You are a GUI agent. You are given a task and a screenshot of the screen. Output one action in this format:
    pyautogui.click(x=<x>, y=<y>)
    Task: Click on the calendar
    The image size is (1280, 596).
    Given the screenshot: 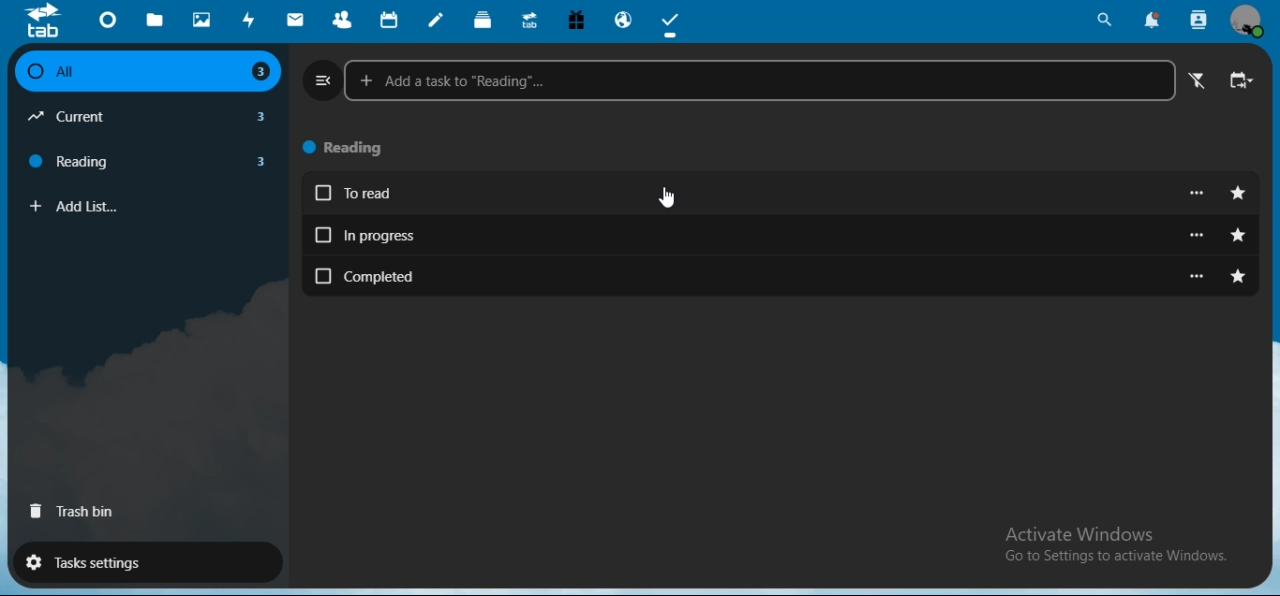 What is the action you would take?
    pyautogui.click(x=390, y=19)
    